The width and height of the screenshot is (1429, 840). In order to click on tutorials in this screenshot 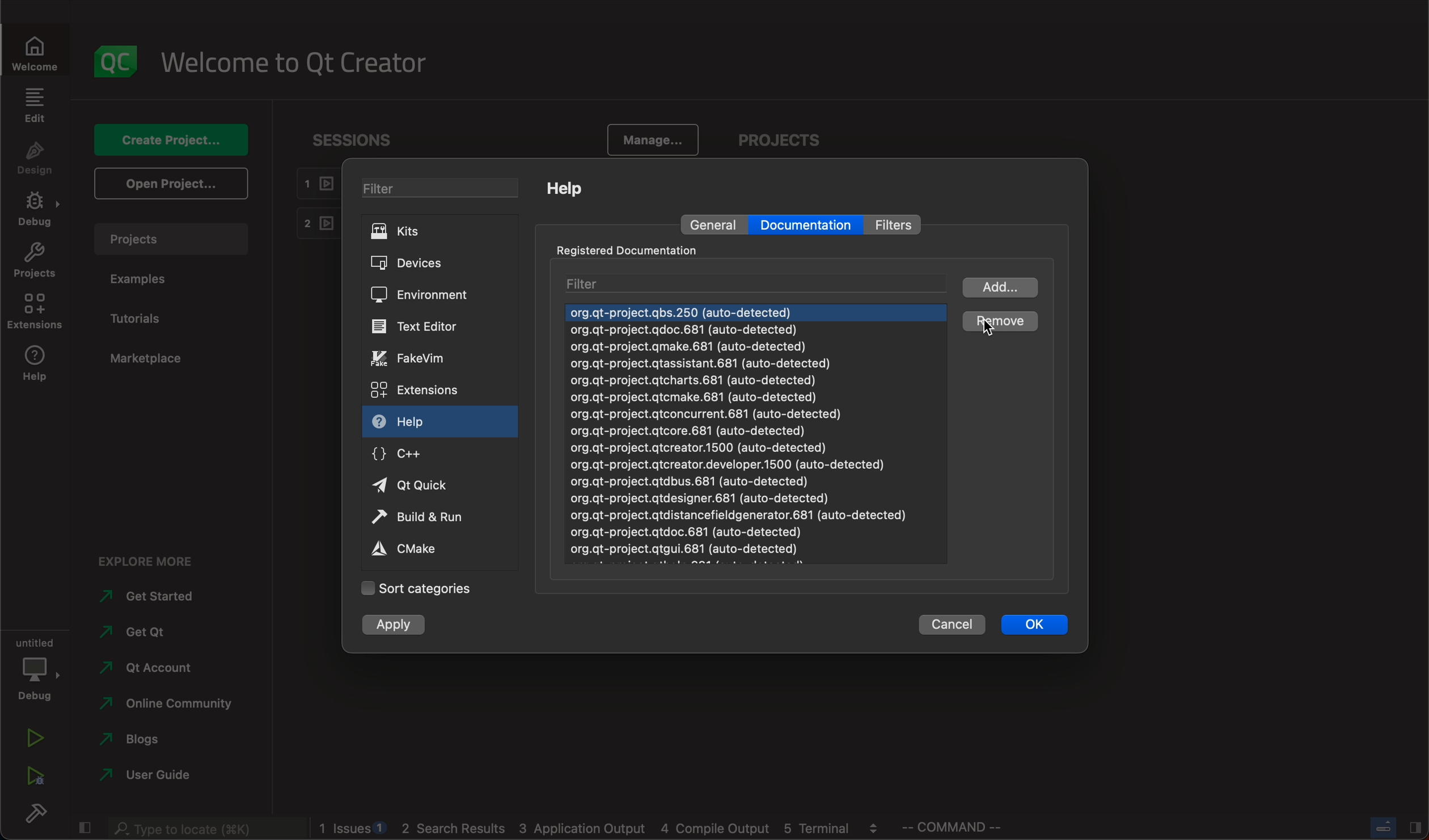, I will do `click(147, 320)`.